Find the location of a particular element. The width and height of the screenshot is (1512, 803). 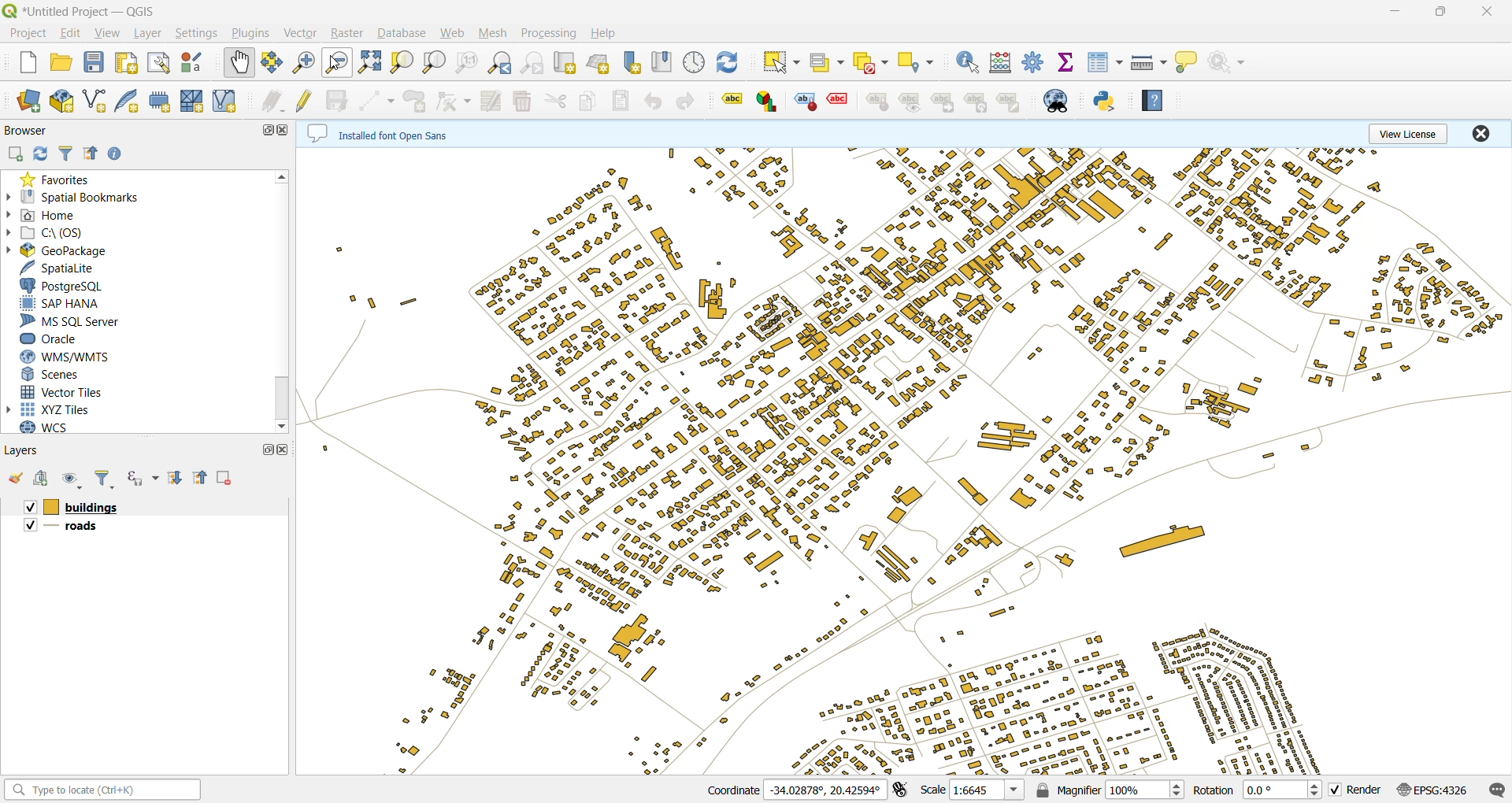

mesh is located at coordinates (497, 35).